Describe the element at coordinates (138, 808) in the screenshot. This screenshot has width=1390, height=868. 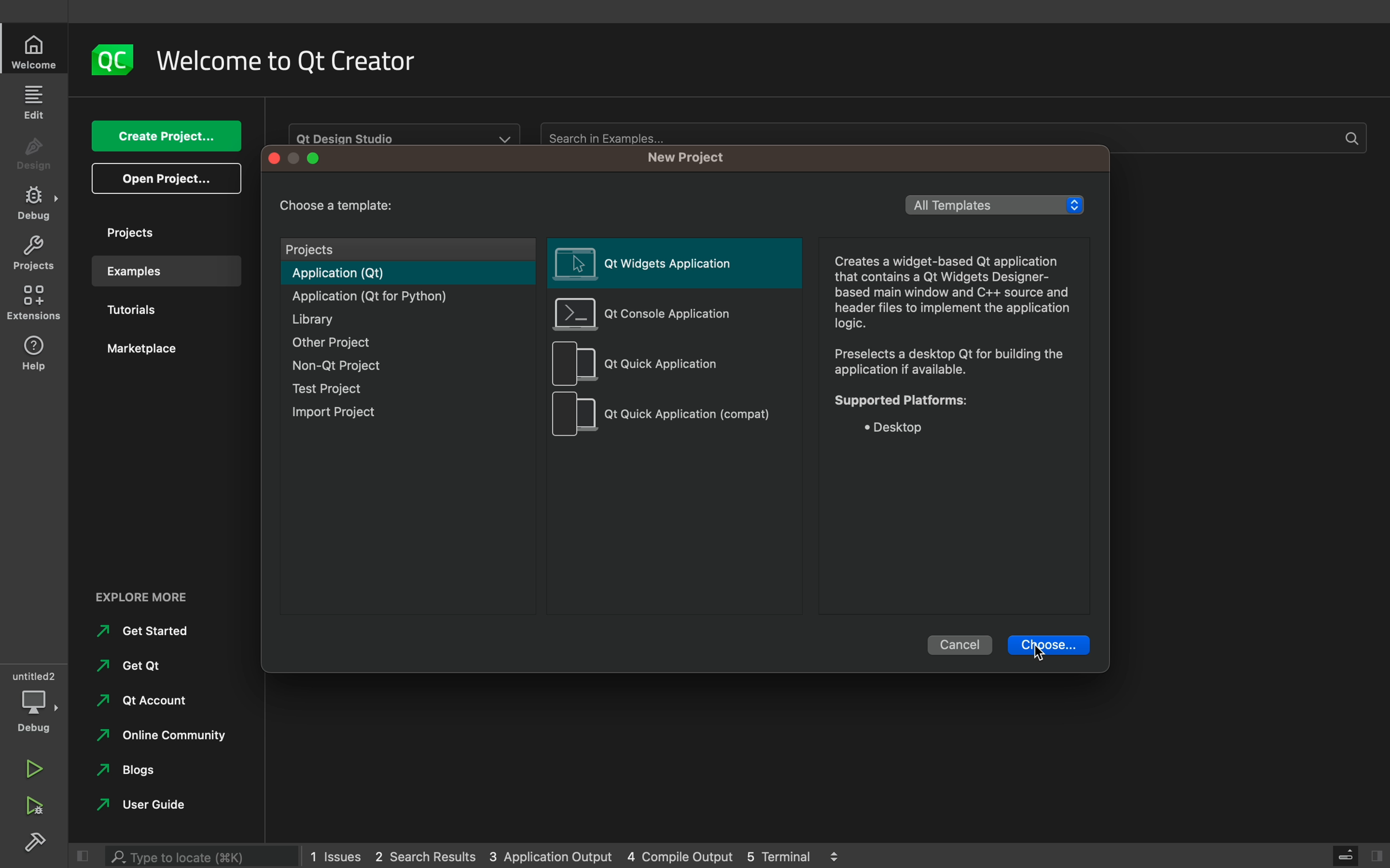
I see `user guides` at that location.